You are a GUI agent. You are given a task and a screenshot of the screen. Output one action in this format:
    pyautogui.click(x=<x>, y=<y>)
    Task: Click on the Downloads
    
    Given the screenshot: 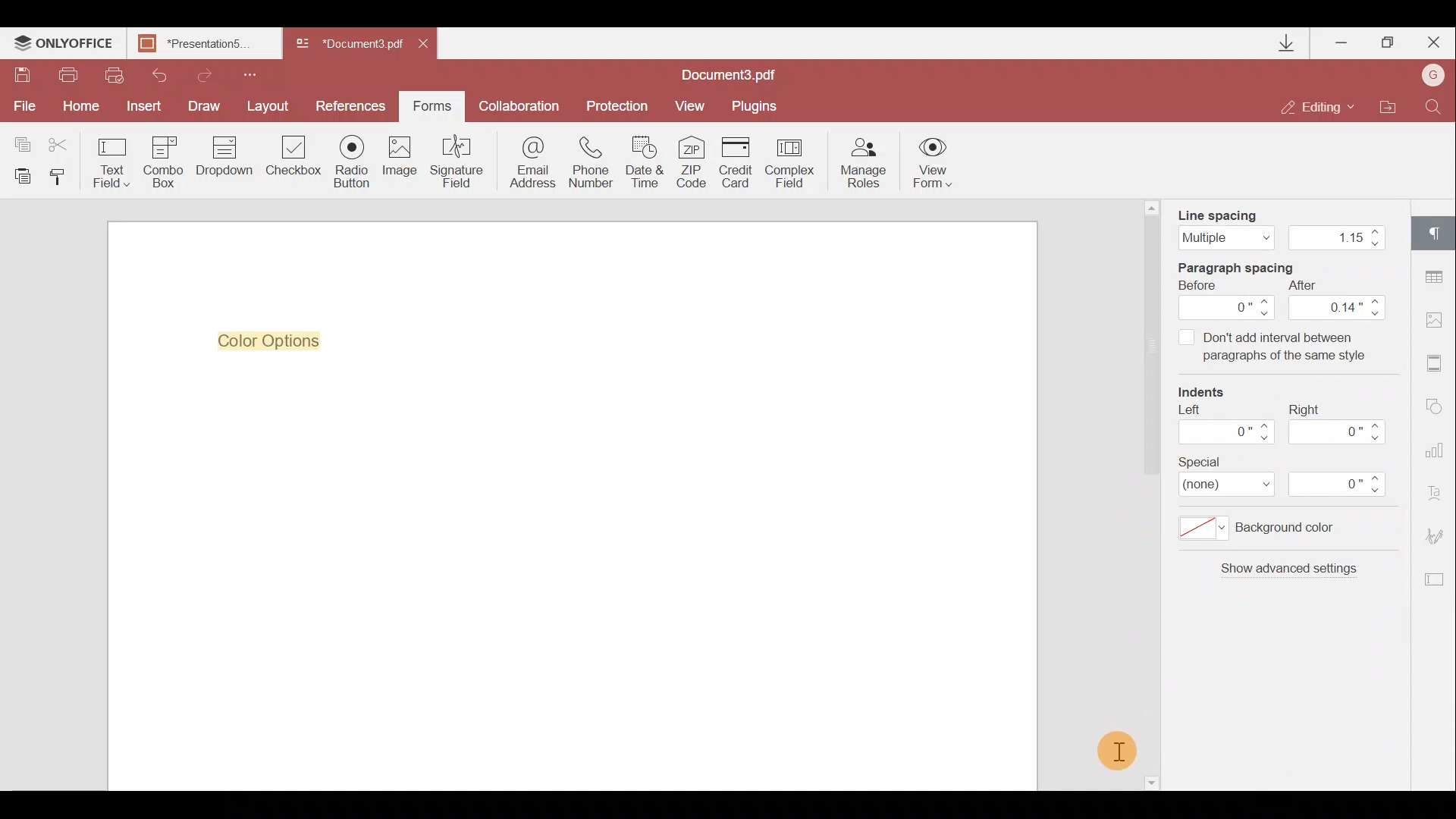 What is the action you would take?
    pyautogui.click(x=1289, y=43)
    